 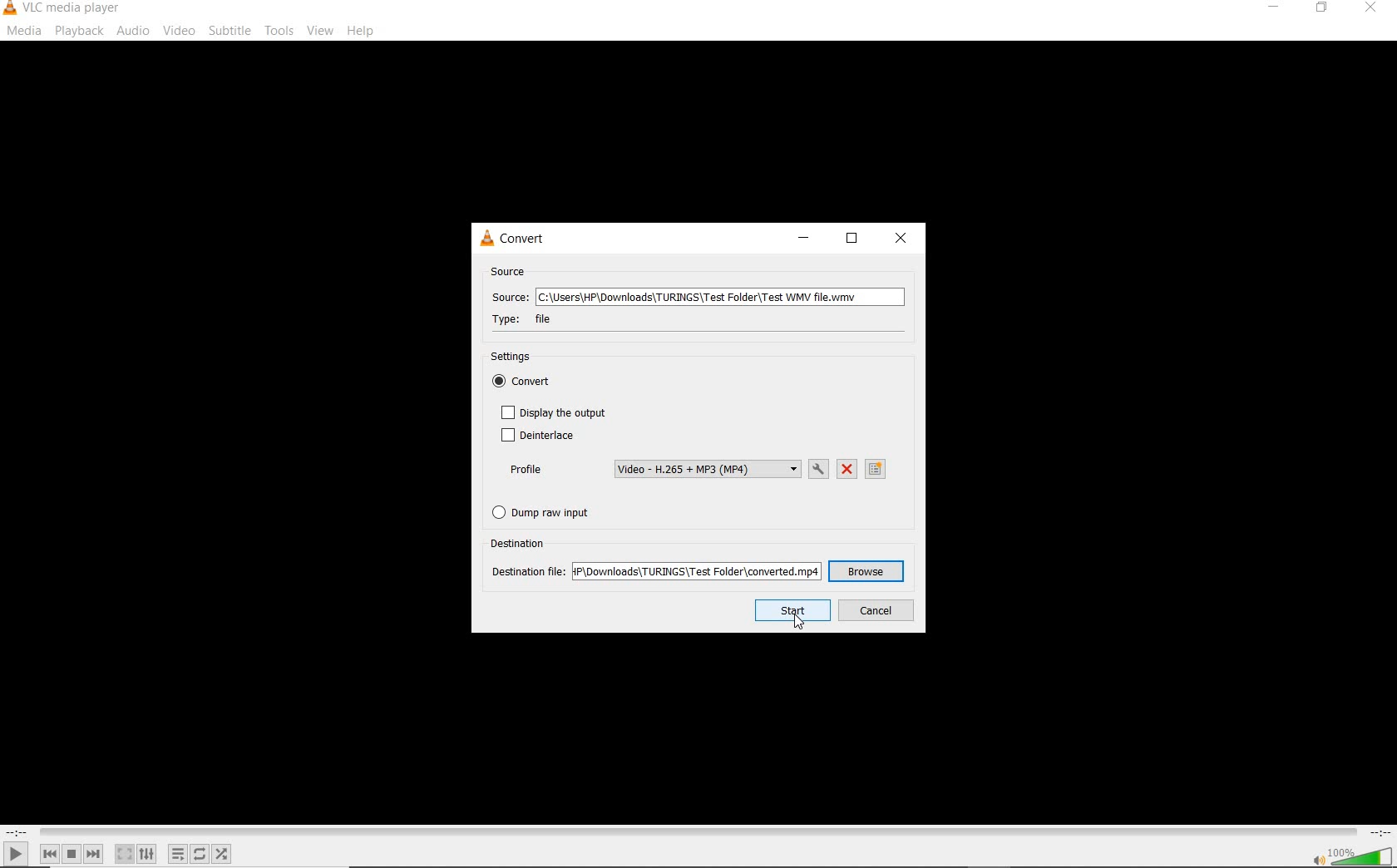 I want to click on seek bar, so click(x=696, y=832).